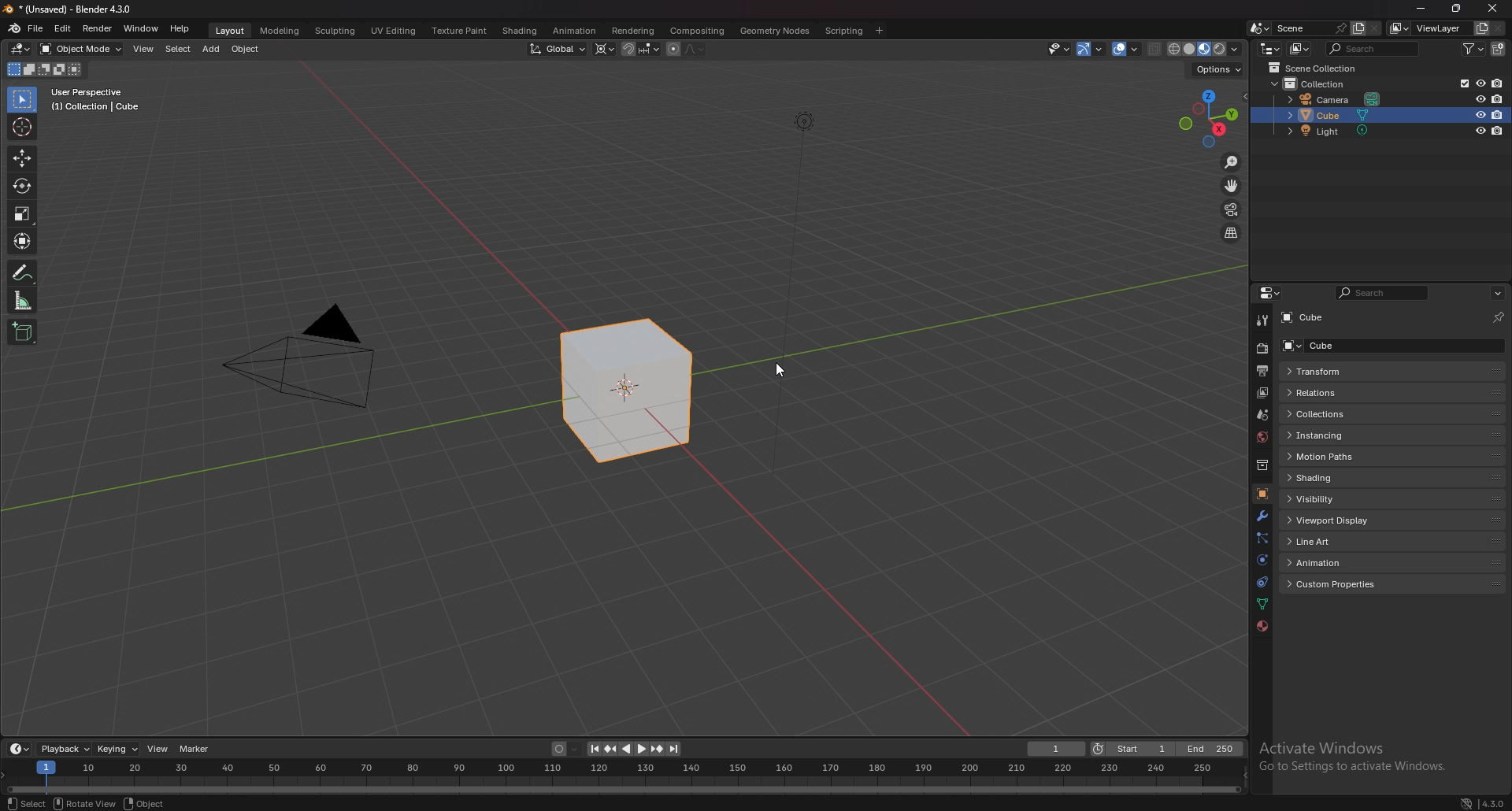 This screenshot has width=1512, height=811. I want to click on collections, so click(1346, 413).